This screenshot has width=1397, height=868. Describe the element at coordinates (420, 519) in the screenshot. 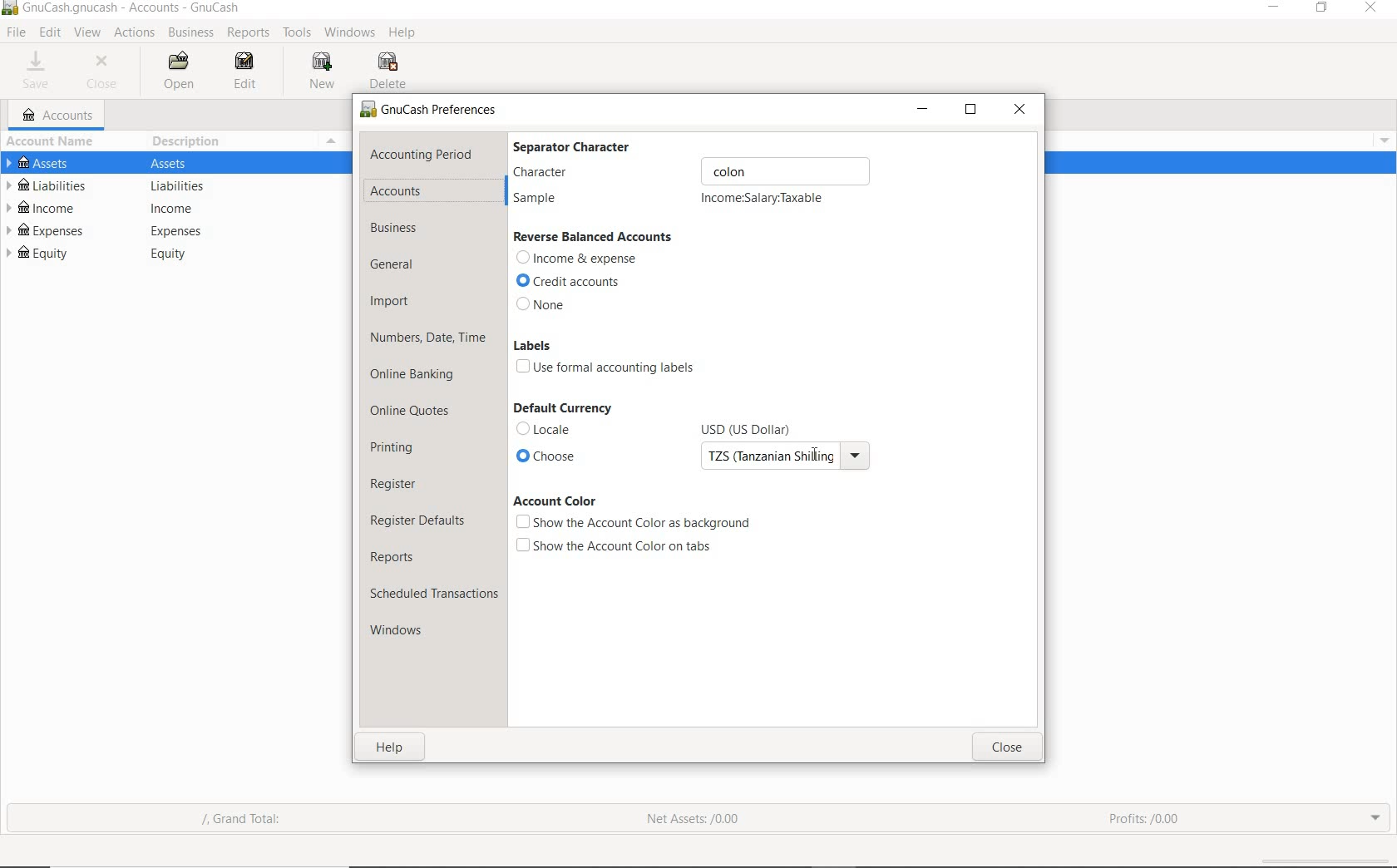

I see `register defaults` at that location.